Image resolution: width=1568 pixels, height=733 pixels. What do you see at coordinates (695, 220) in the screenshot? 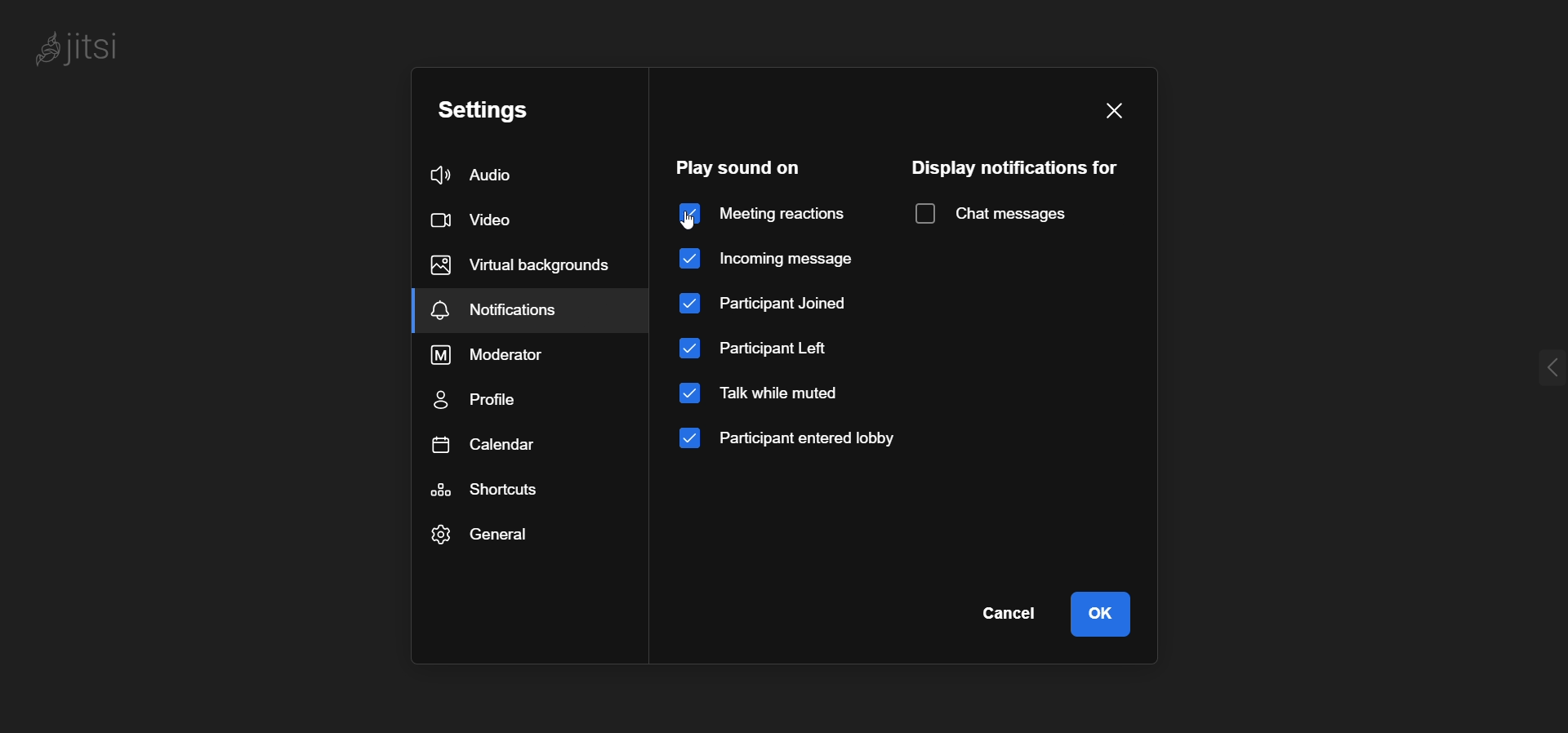
I see `cursor` at bounding box center [695, 220].